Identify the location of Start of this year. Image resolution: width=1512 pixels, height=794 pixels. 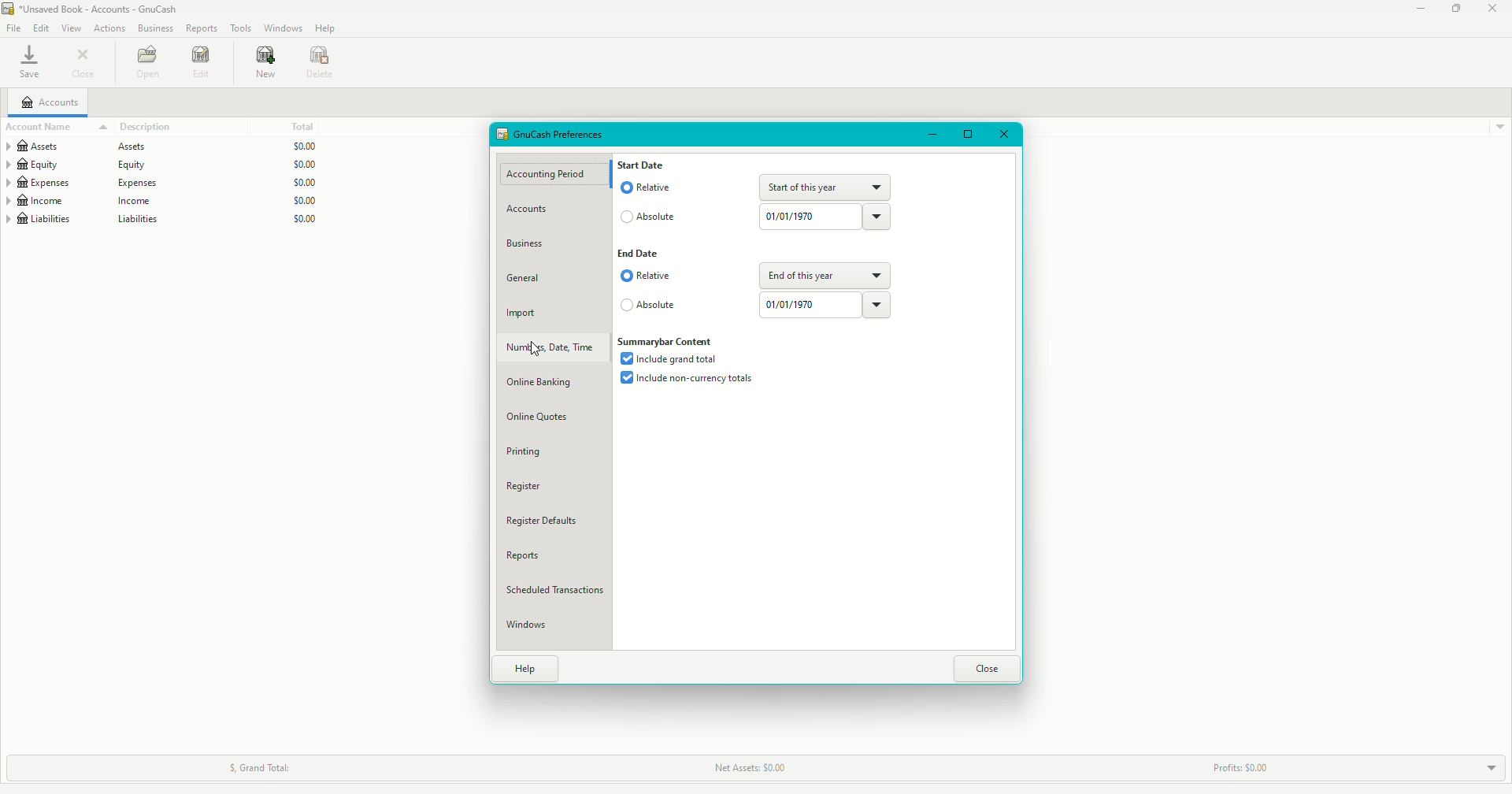
(825, 187).